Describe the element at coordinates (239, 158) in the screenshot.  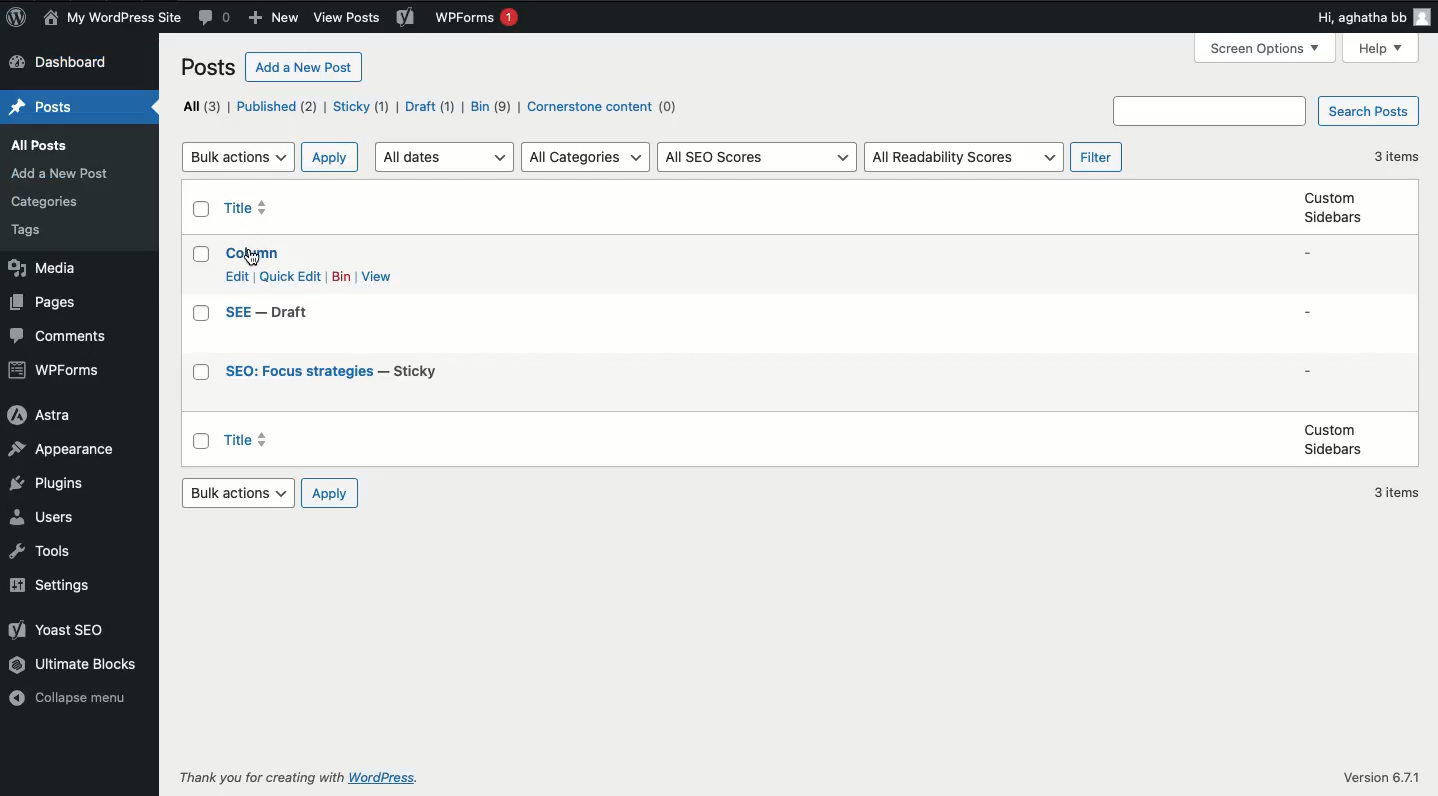
I see `Bulk actions` at that location.